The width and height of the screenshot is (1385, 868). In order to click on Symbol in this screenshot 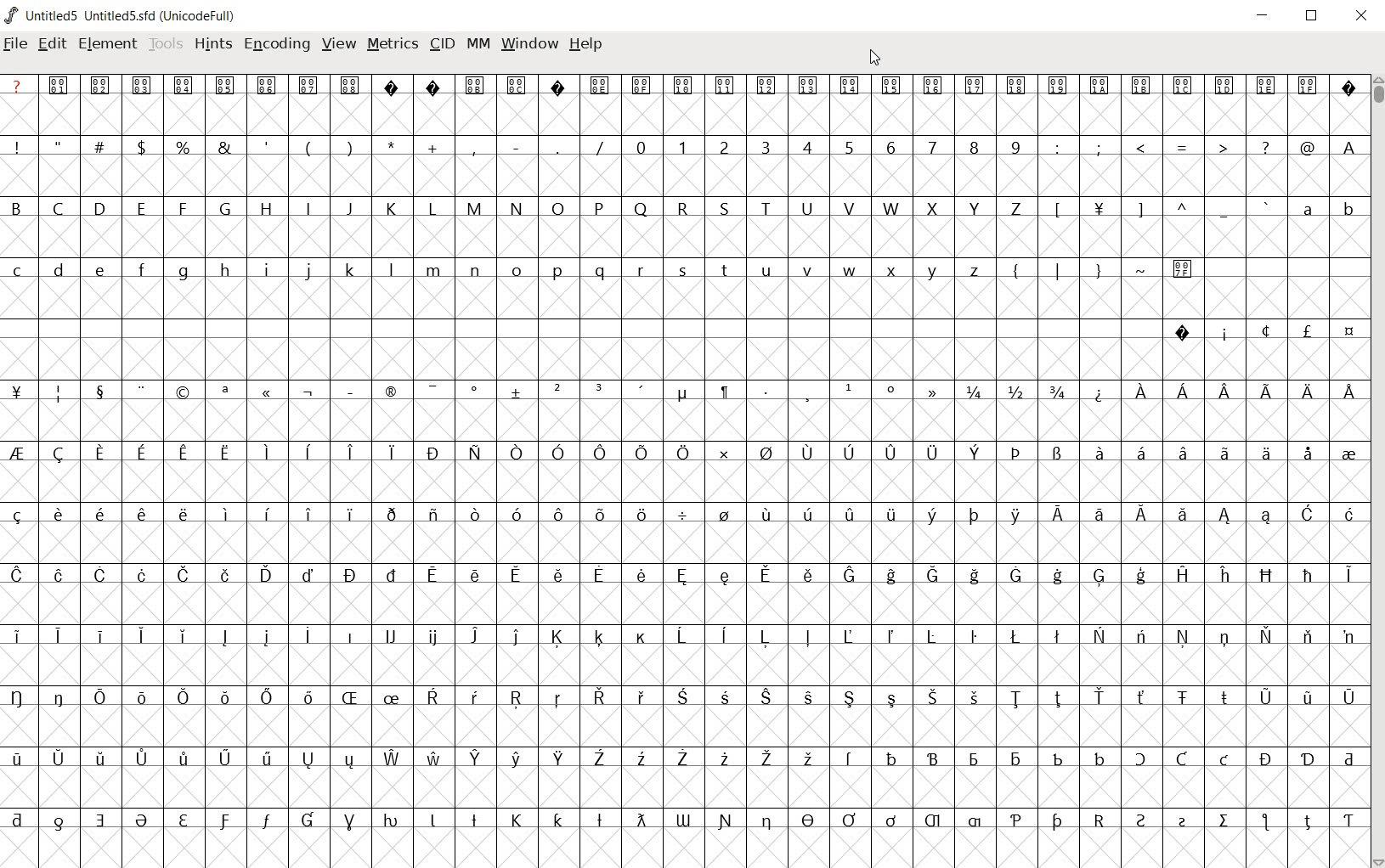, I will do `click(432, 757)`.